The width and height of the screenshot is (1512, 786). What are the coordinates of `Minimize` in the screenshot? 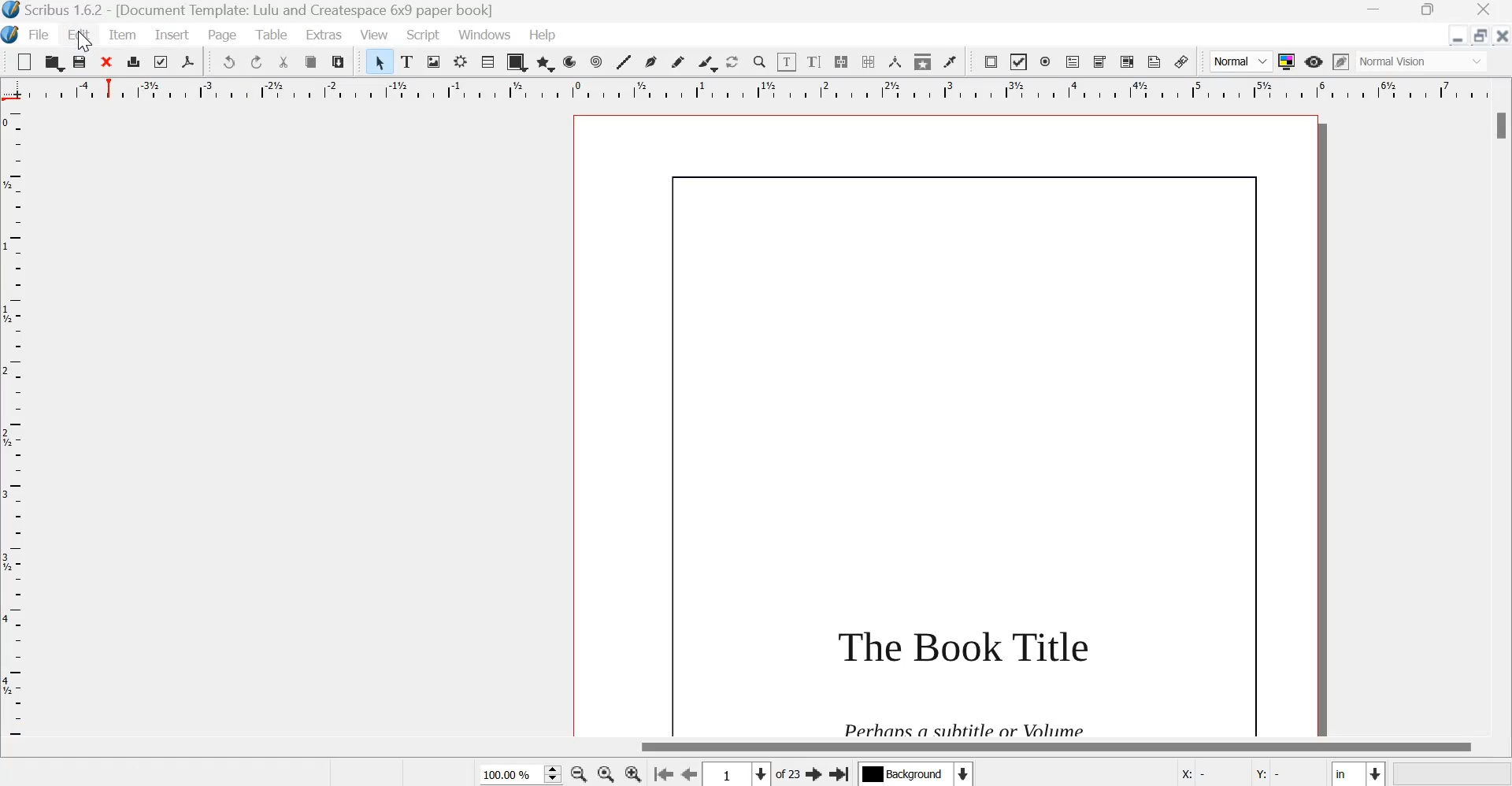 It's located at (1372, 9).